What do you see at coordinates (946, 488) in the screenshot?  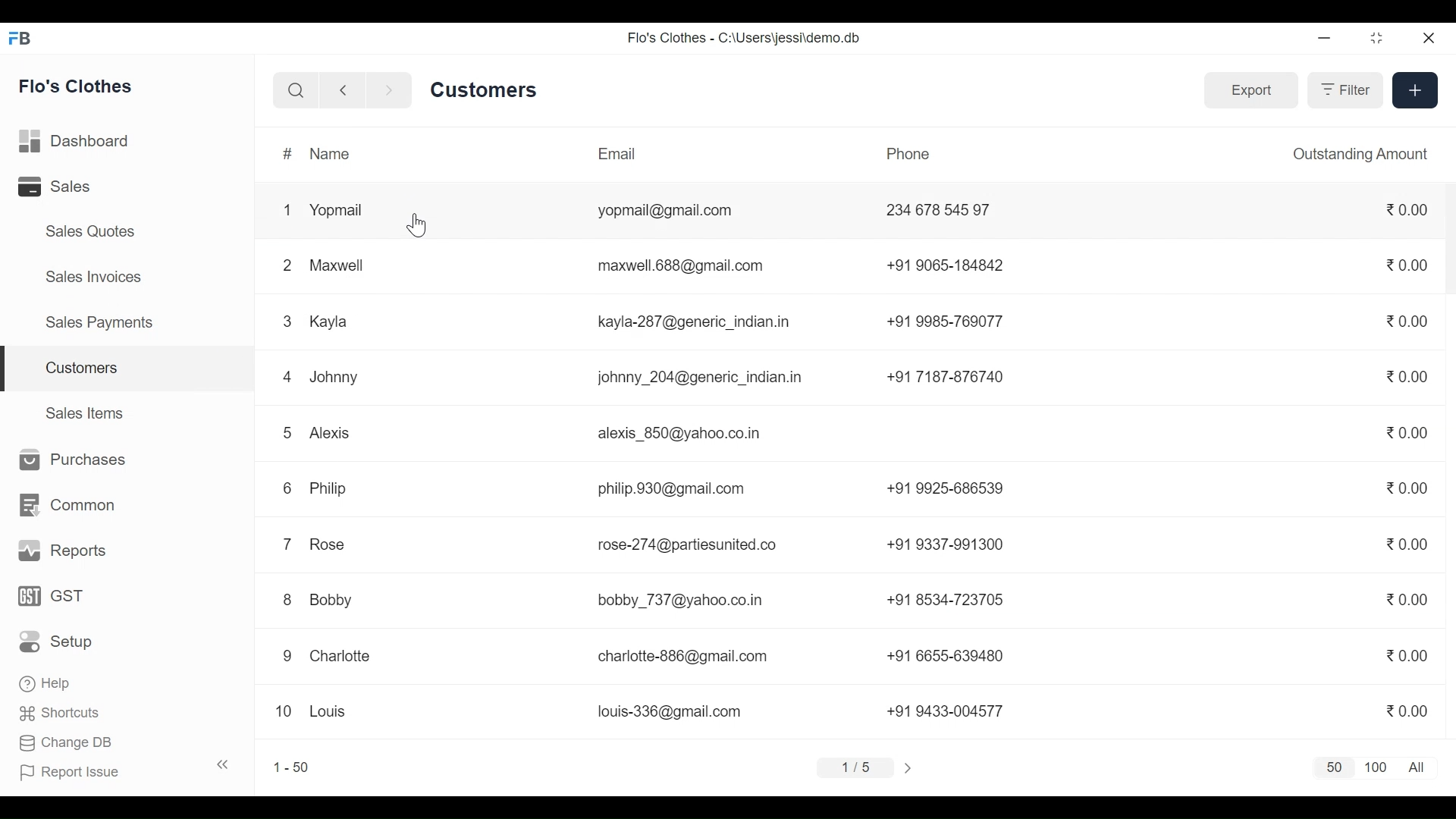 I see `+91 9925-686539` at bounding box center [946, 488].